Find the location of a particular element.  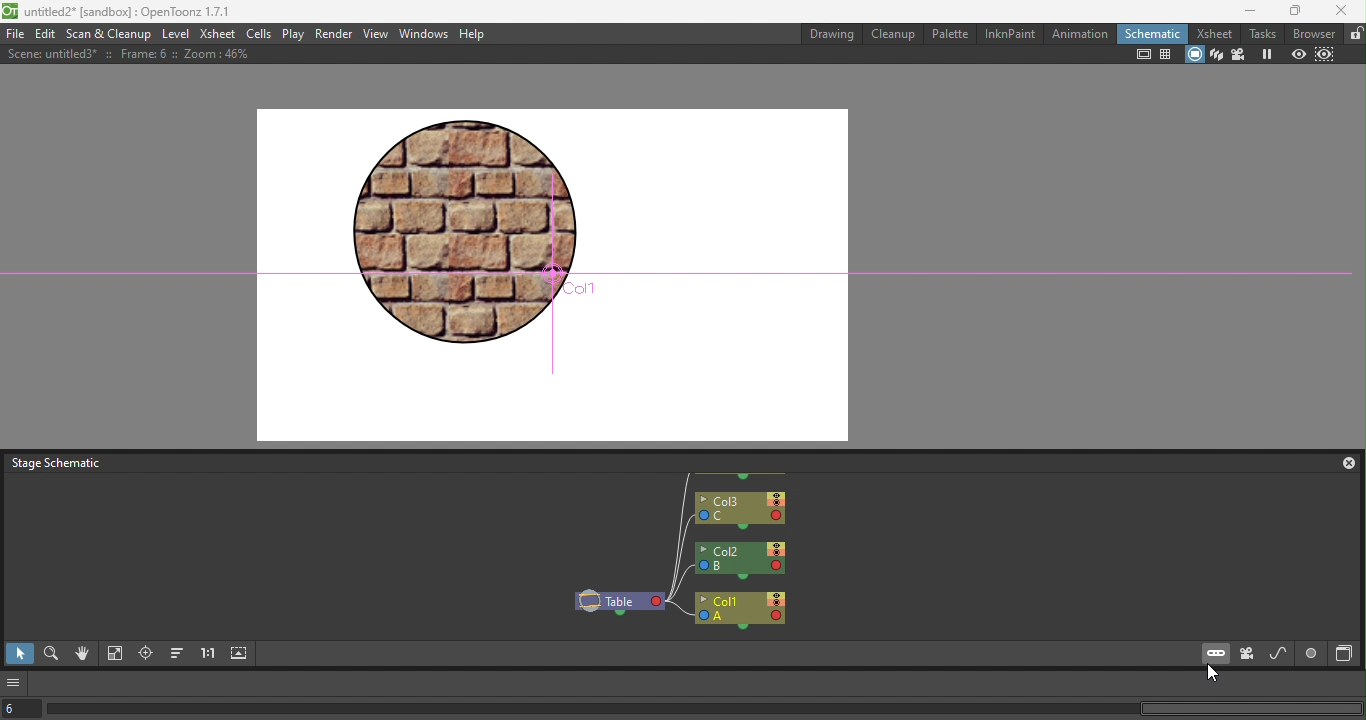

Safe area is located at coordinates (1142, 55).